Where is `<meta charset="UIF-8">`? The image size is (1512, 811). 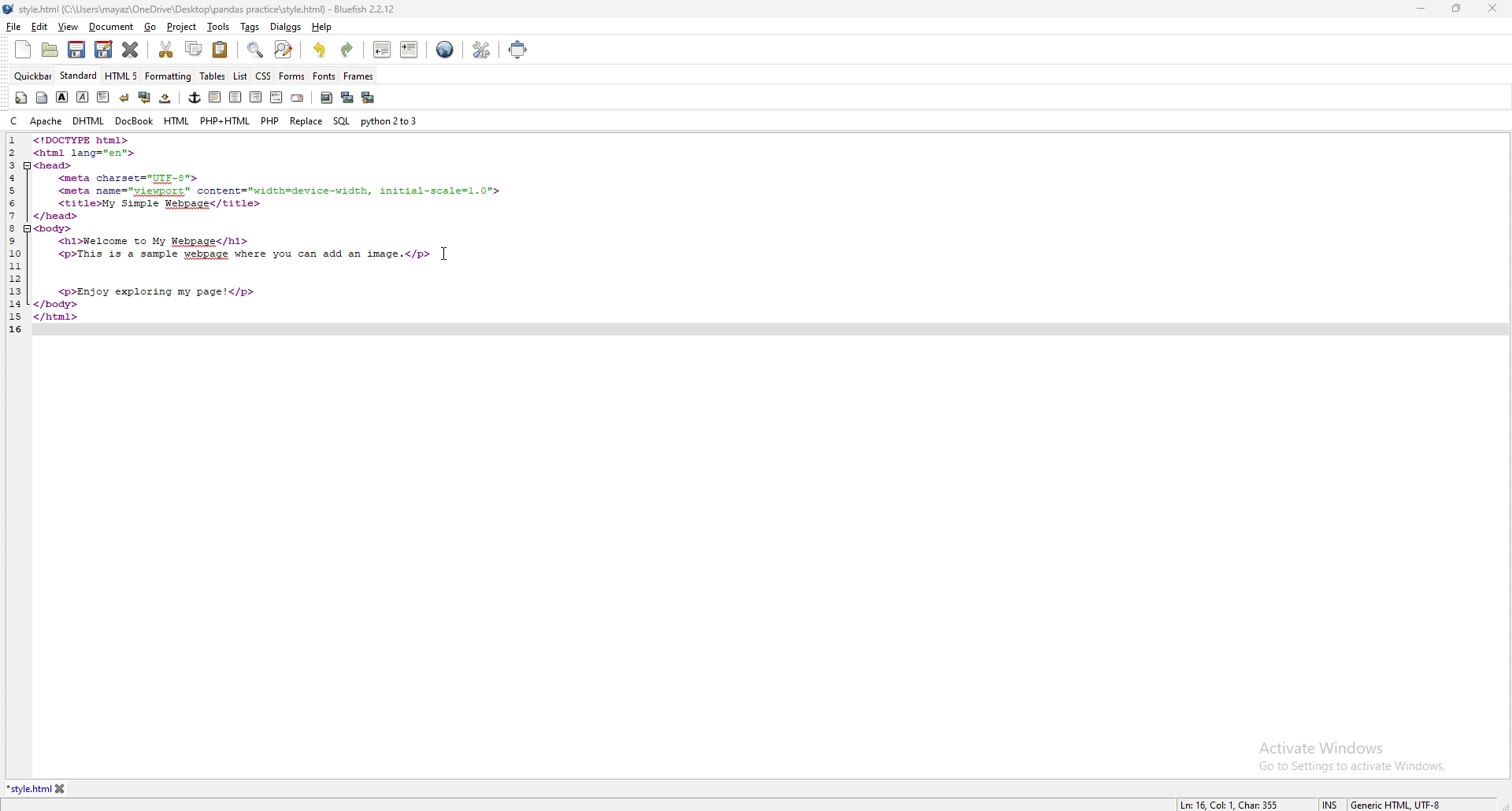
<meta charset="UIF-8"> is located at coordinates (130, 179).